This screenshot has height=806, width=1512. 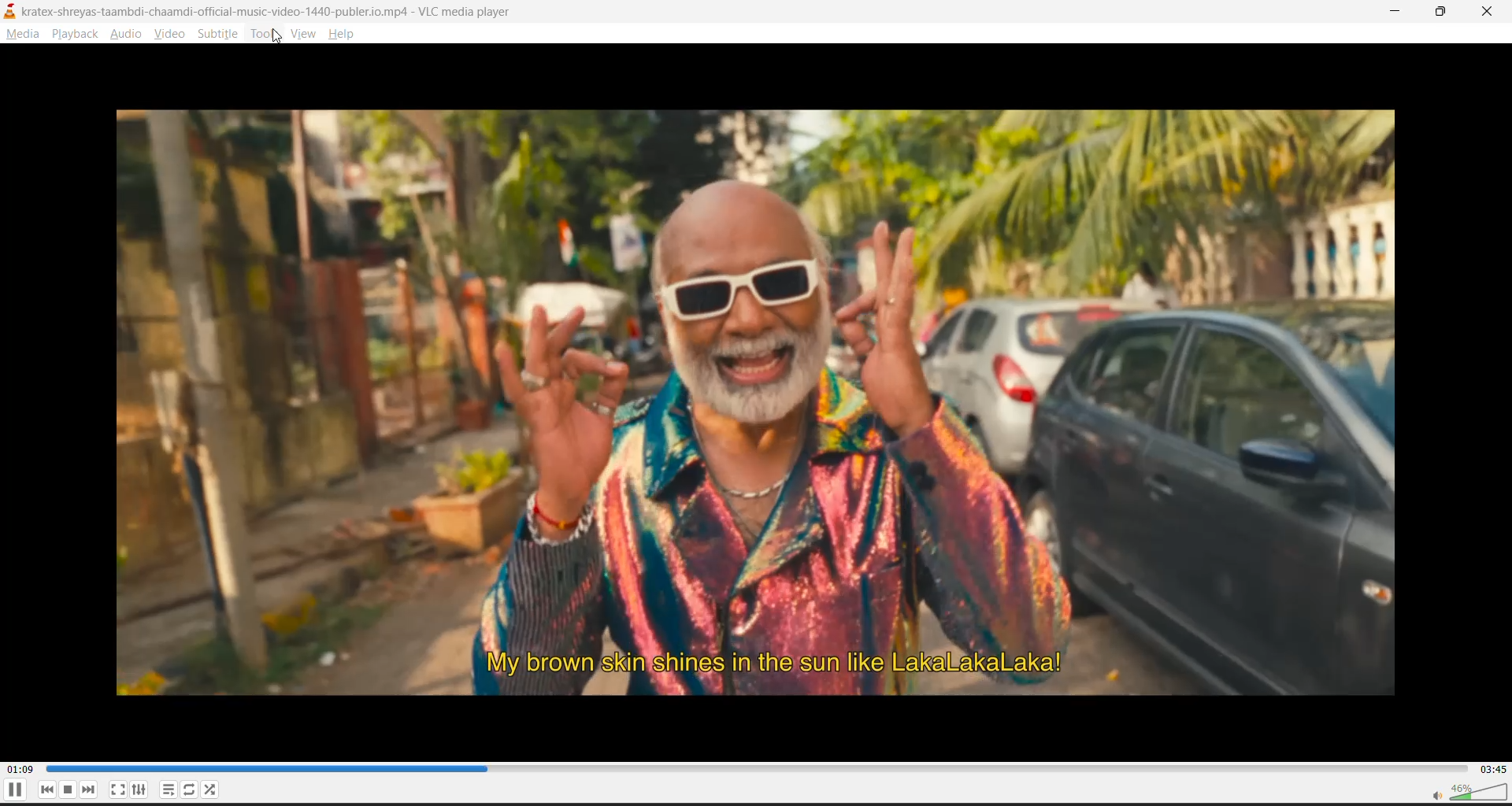 I want to click on next, so click(x=90, y=788).